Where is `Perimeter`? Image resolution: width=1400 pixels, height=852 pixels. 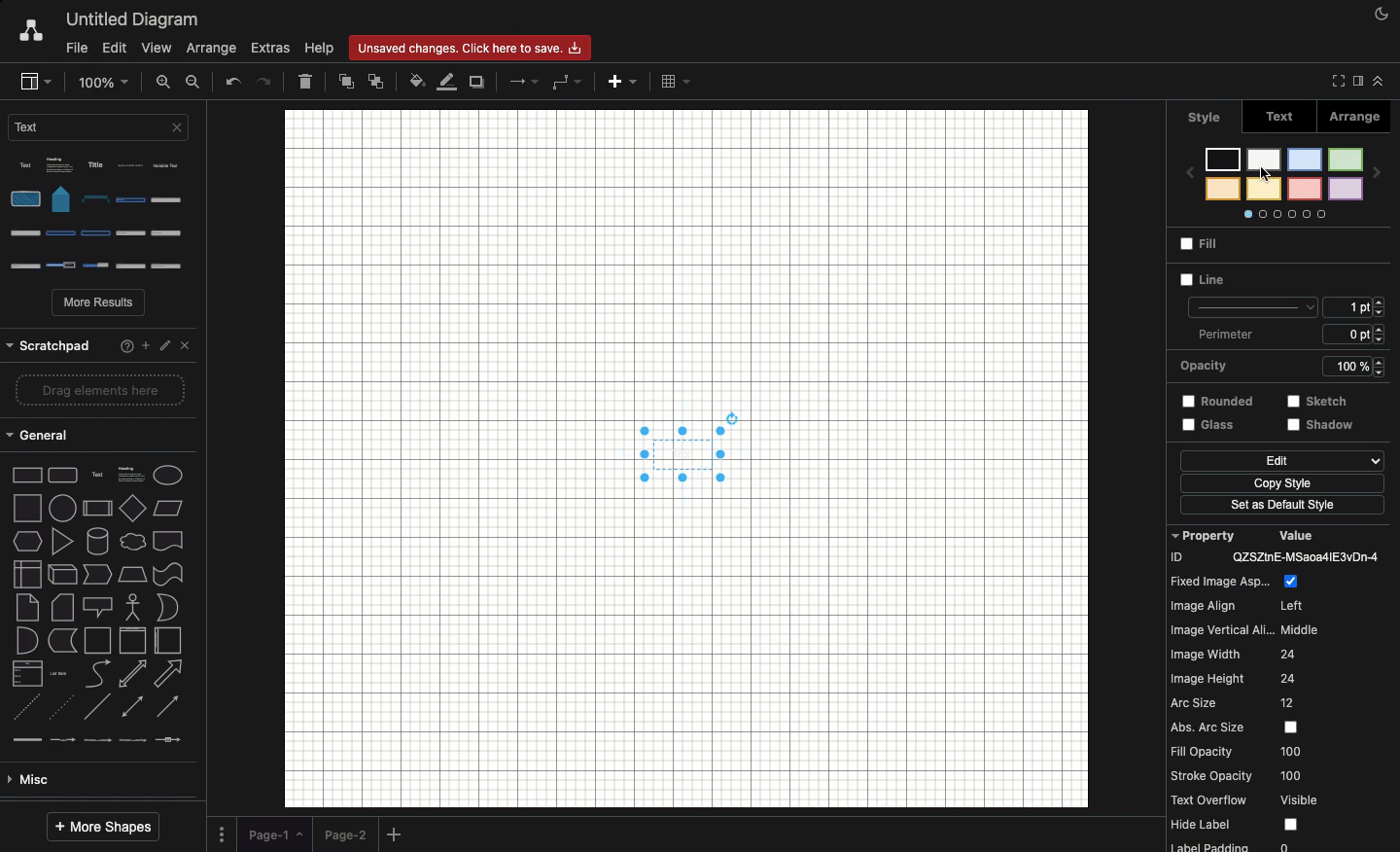 Perimeter is located at coordinates (1219, 334).